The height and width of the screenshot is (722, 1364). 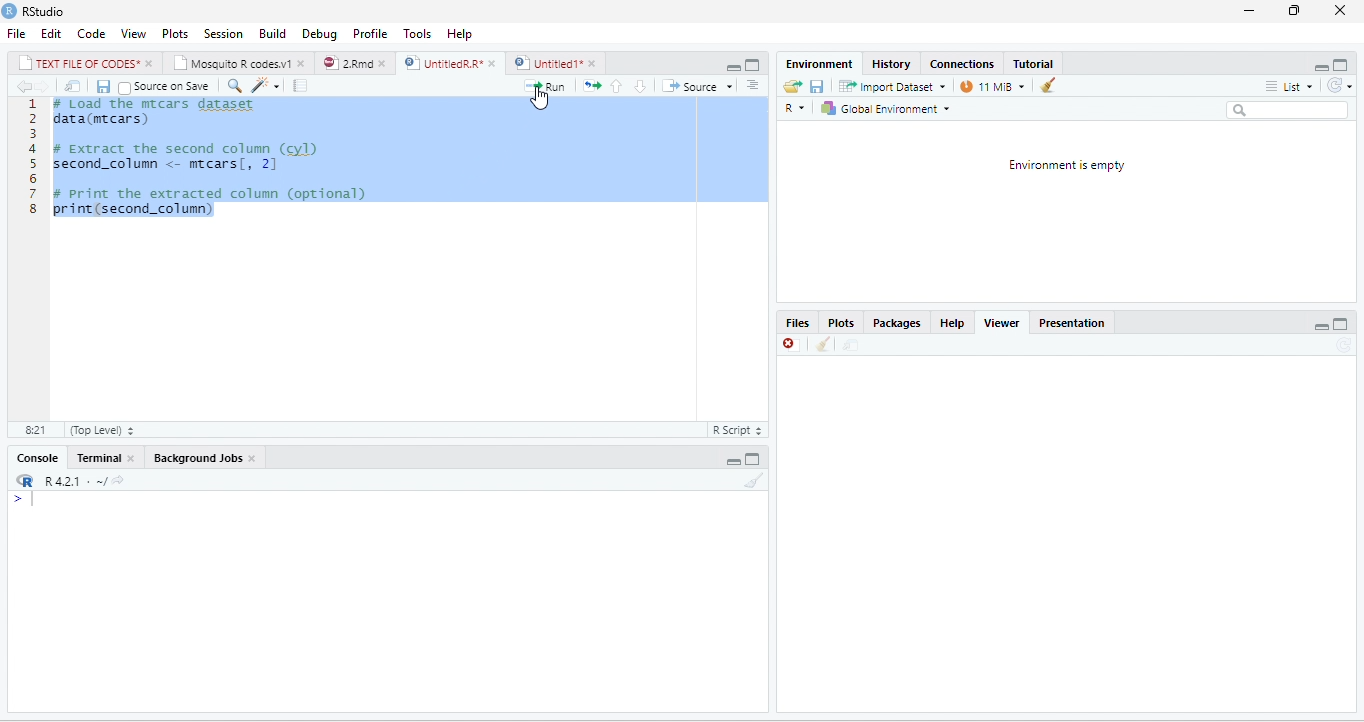 What do you see at coordinates (97, 459) in the screenshot?
I see `Terminal` at bounding box center [97, 459].